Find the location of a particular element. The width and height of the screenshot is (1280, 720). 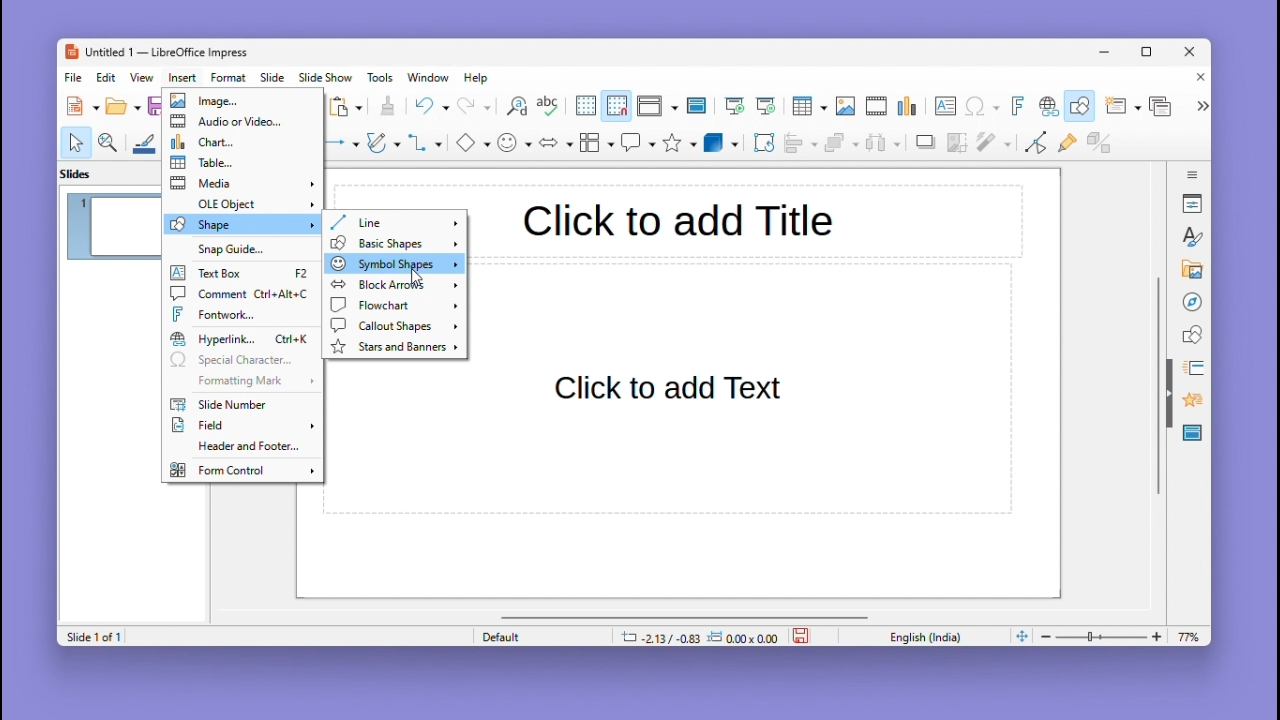

Slides is located at coordinates (86, 173).